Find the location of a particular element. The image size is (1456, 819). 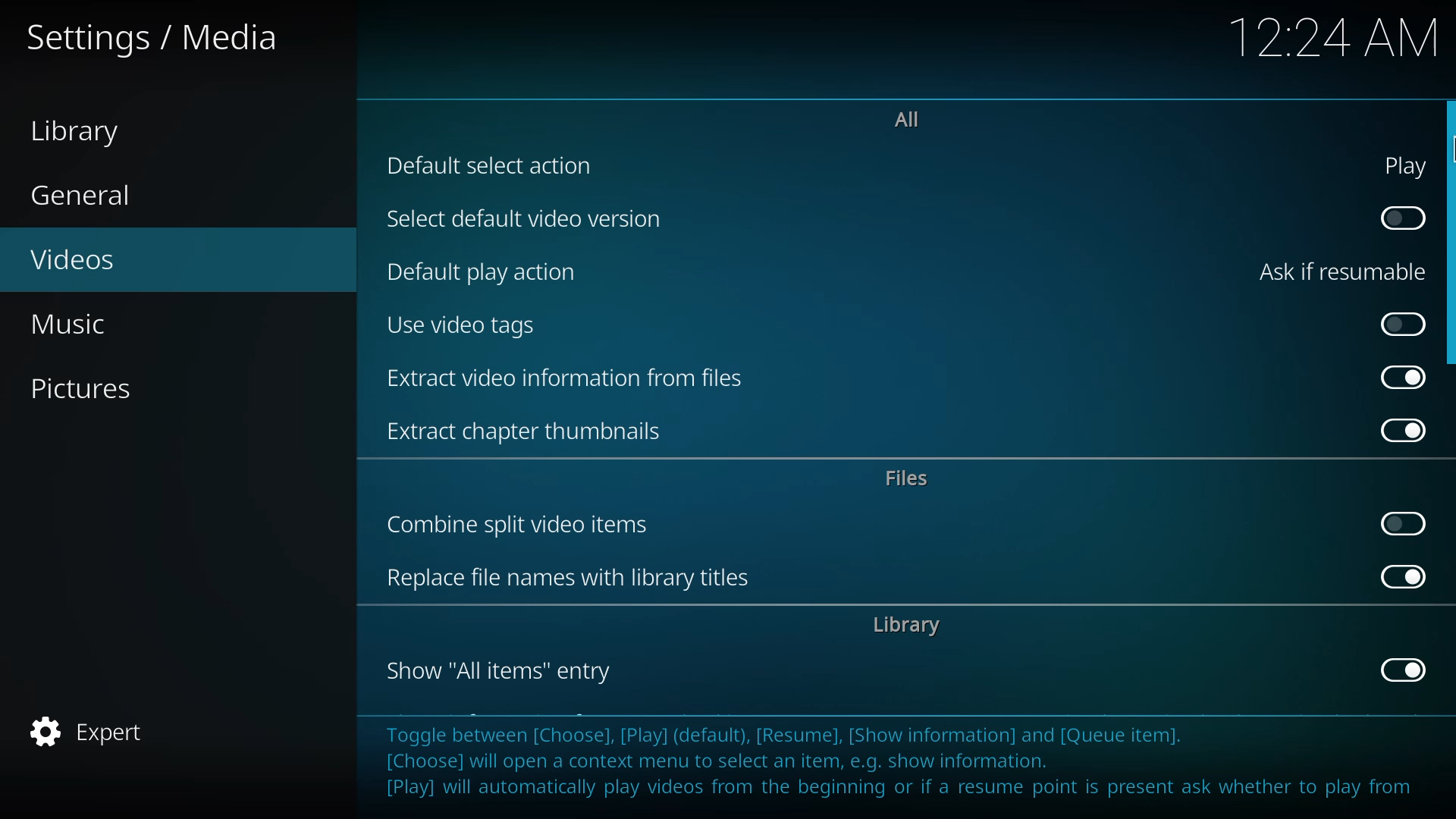

play is located at coordinates (1406, 164).